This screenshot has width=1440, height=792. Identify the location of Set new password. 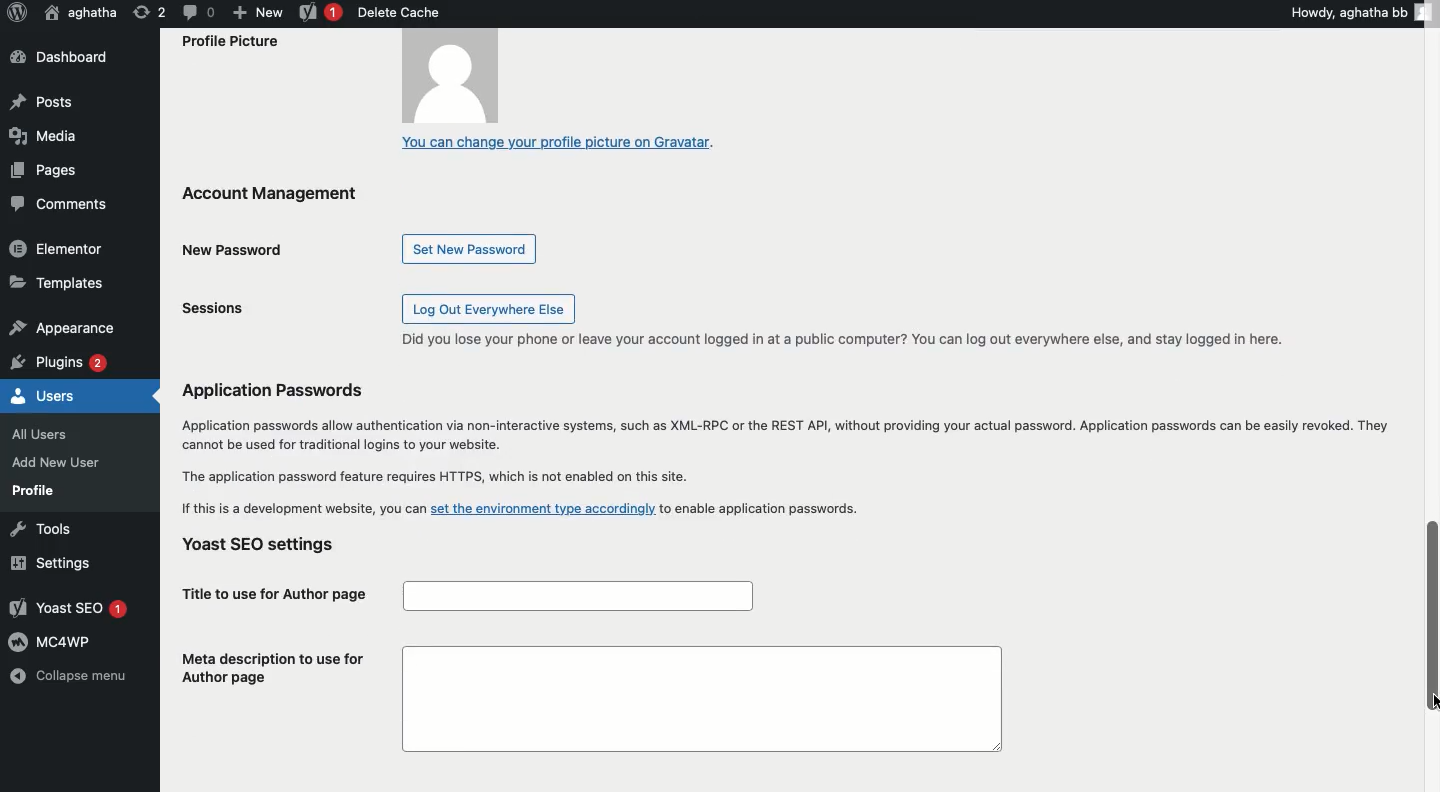
(471, 249).